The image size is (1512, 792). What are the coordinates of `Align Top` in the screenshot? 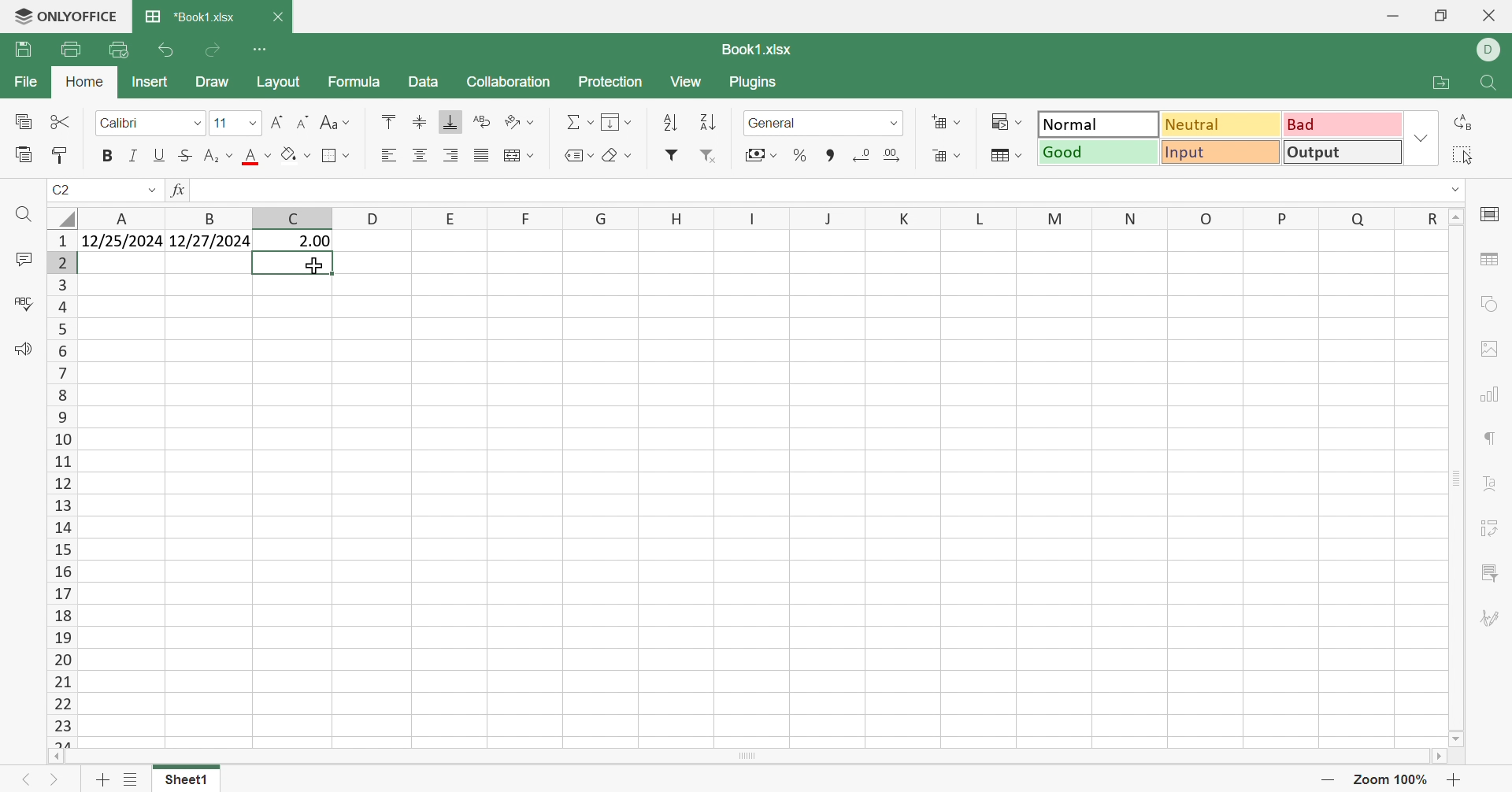 It's located at (390, 120).